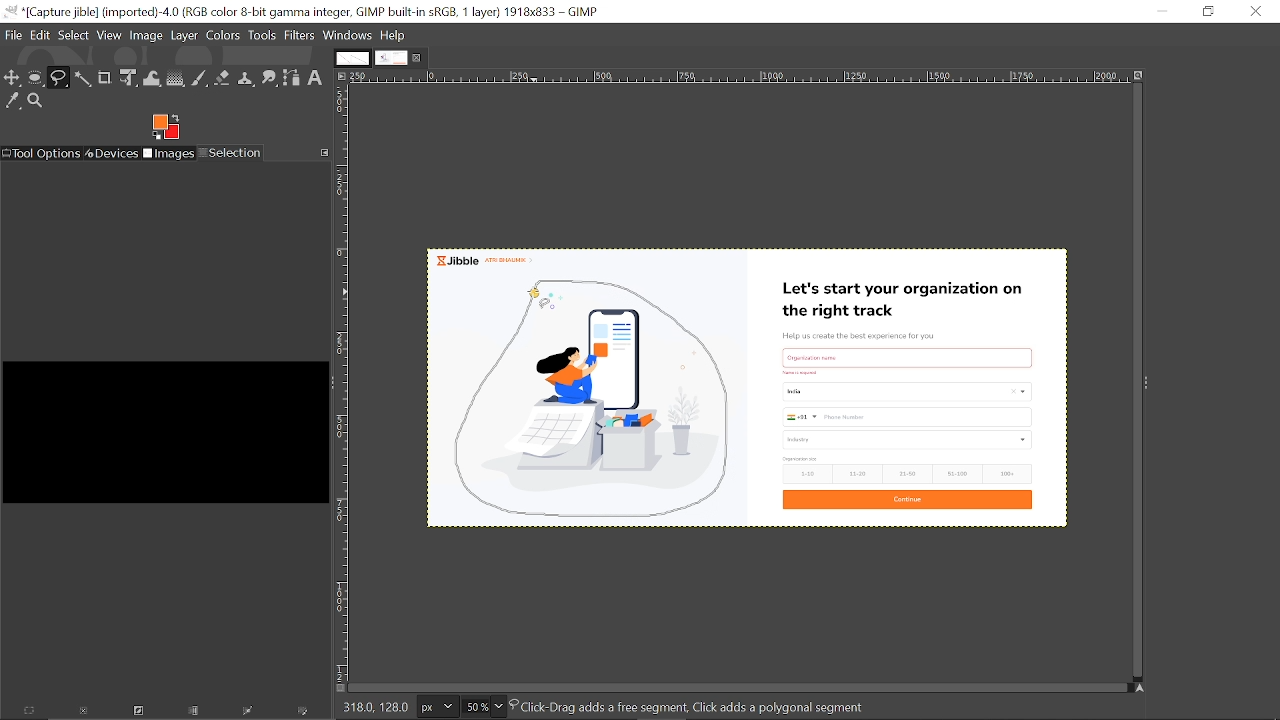  What do you see at coordinates (536, 300) in the screenshot?
I see `Cursor` at bounding box center [536, 300].